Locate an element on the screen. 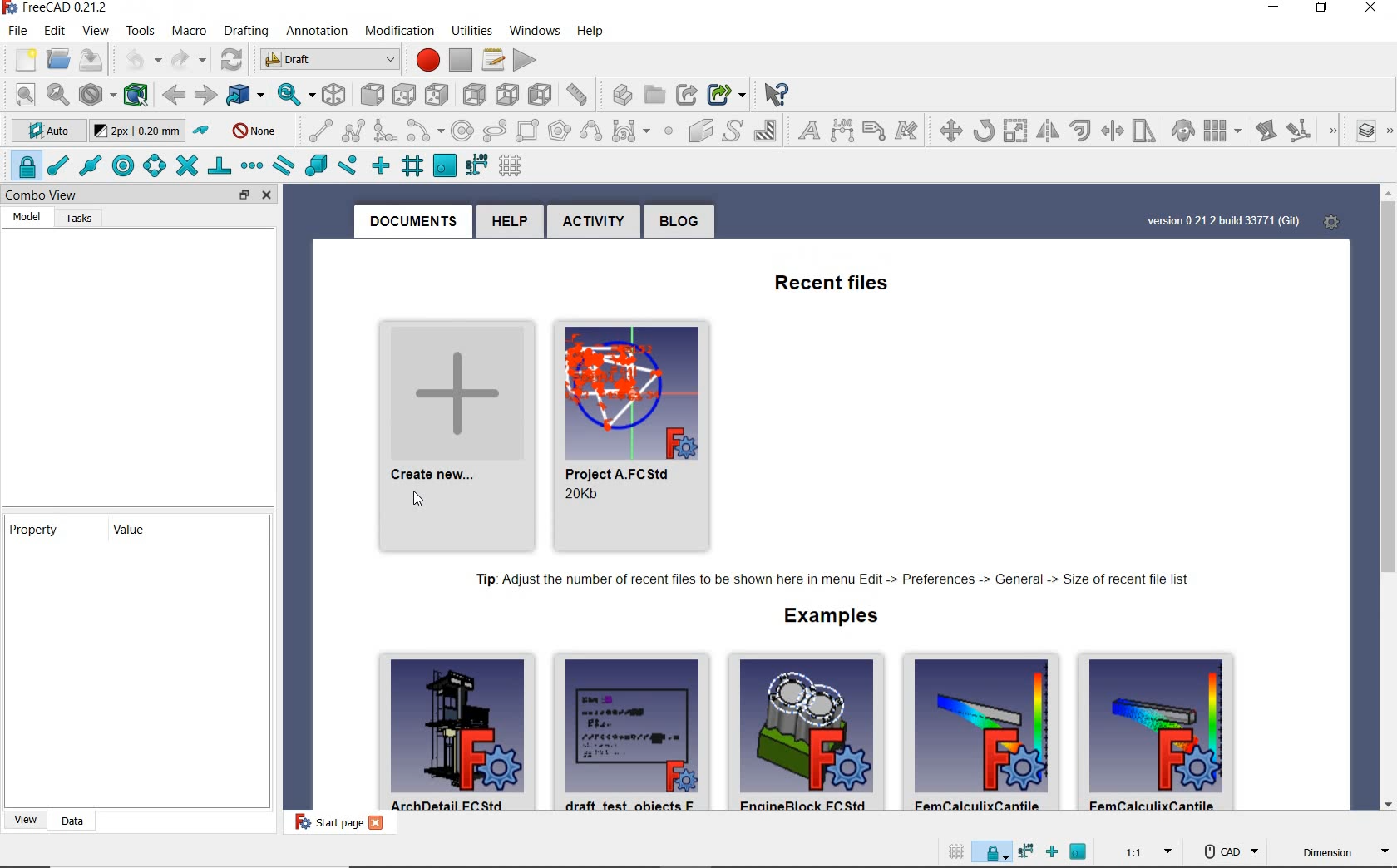 The width and height of the screenshot is (1397, 868). value is located at coordinates (131, 530).